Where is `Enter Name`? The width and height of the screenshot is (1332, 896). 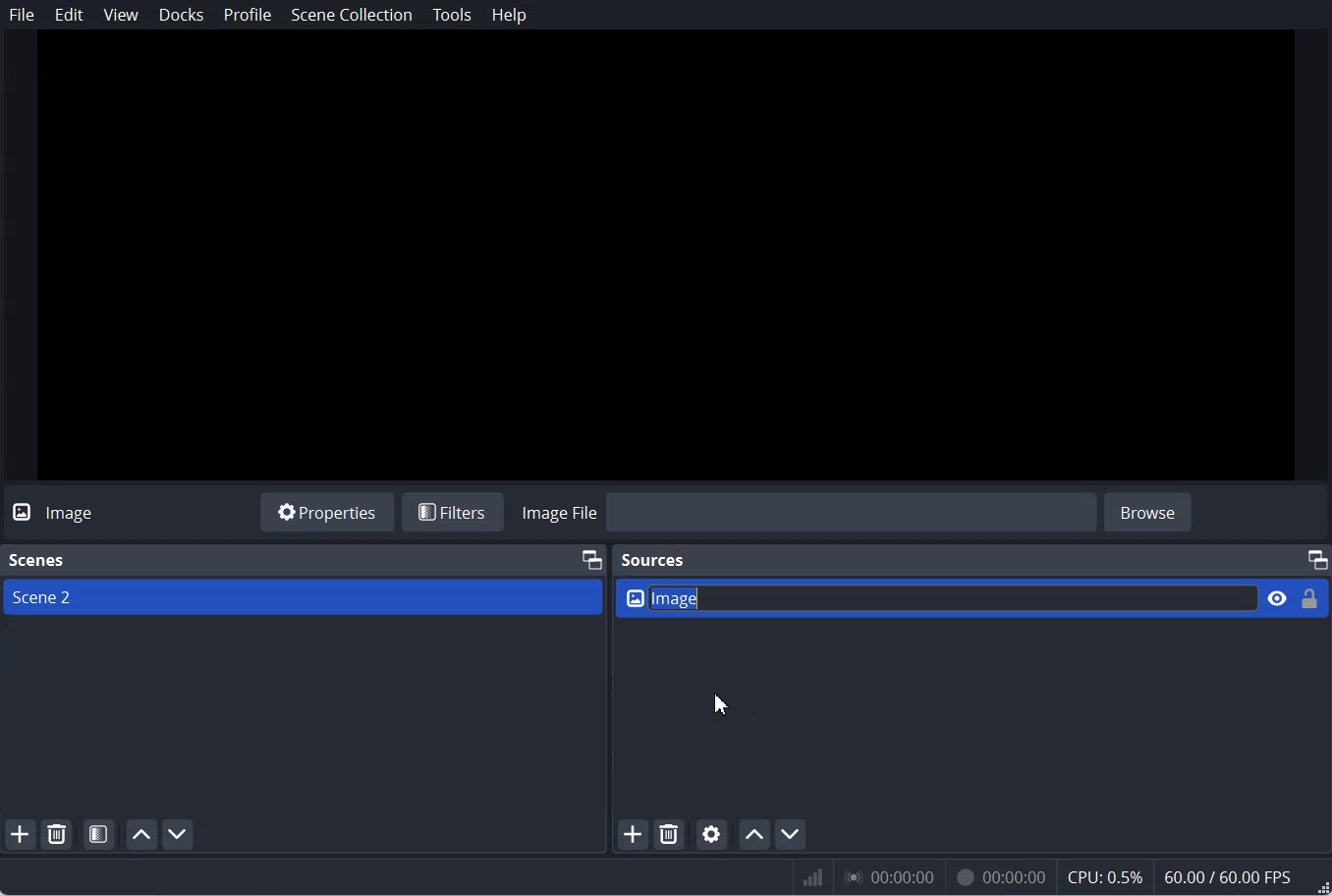
Enter Name is located at coordinates (935, 598).